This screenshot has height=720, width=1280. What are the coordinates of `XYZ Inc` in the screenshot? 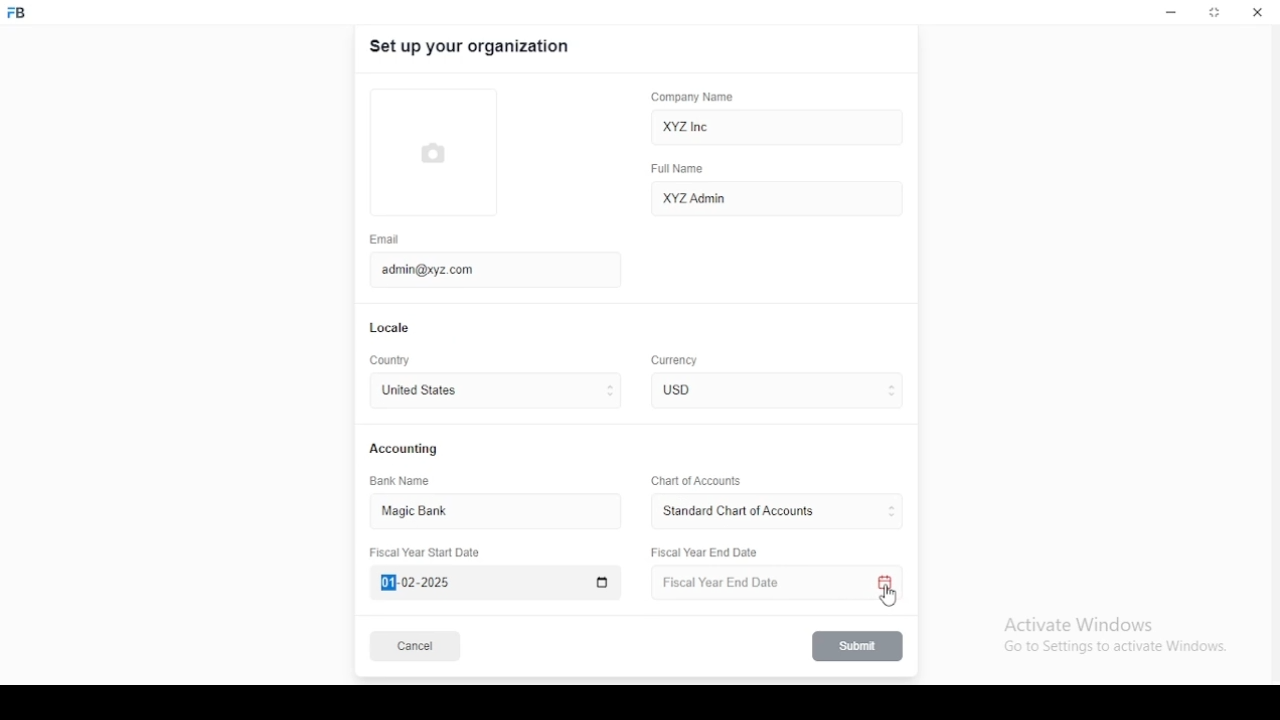 It's located at (779, 128).